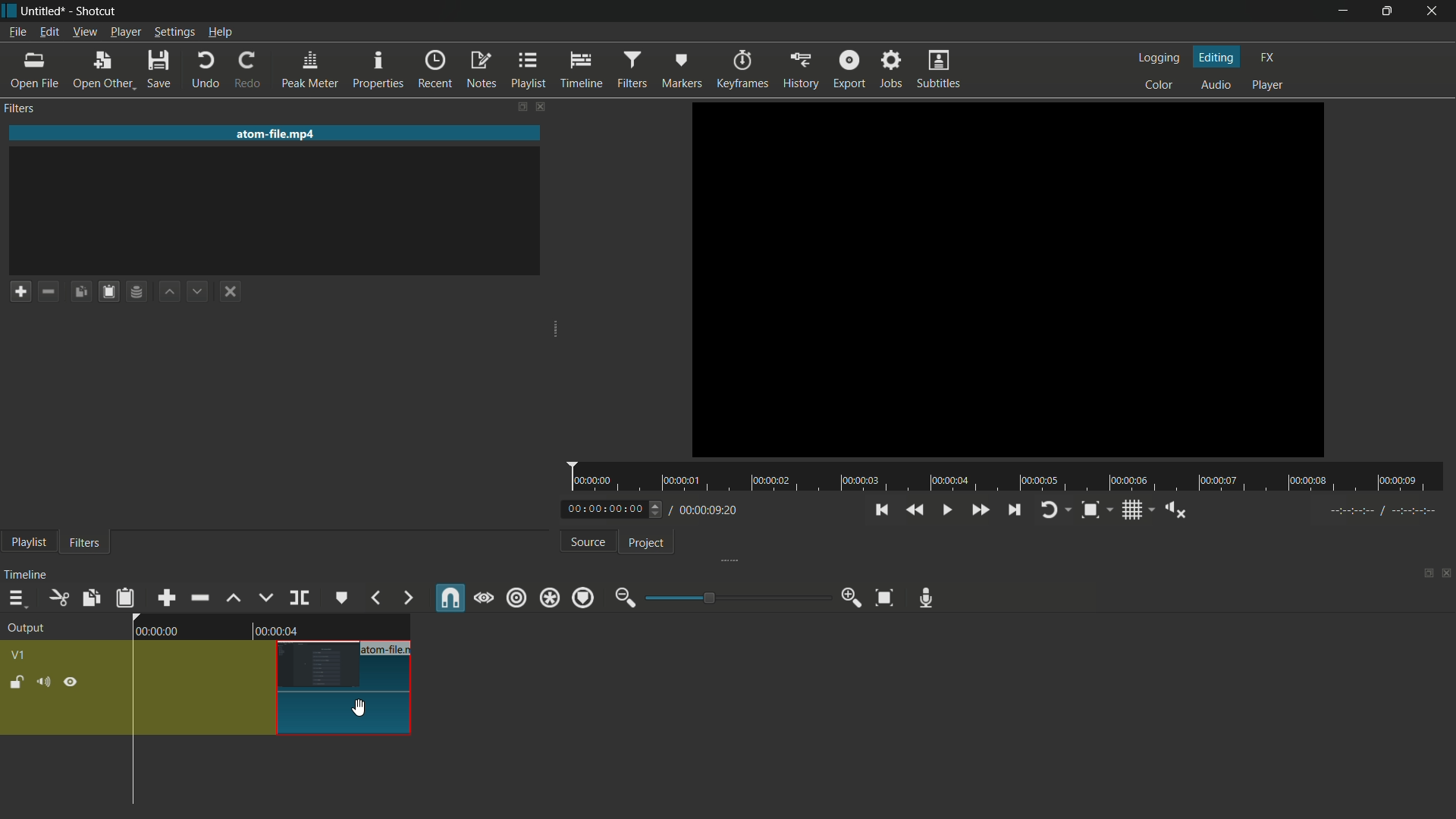 The height and width of the screenshot is (819, 1456). Describe the element at coordinates (1009, 281) in the screenshot. I see `imported video` at that location.